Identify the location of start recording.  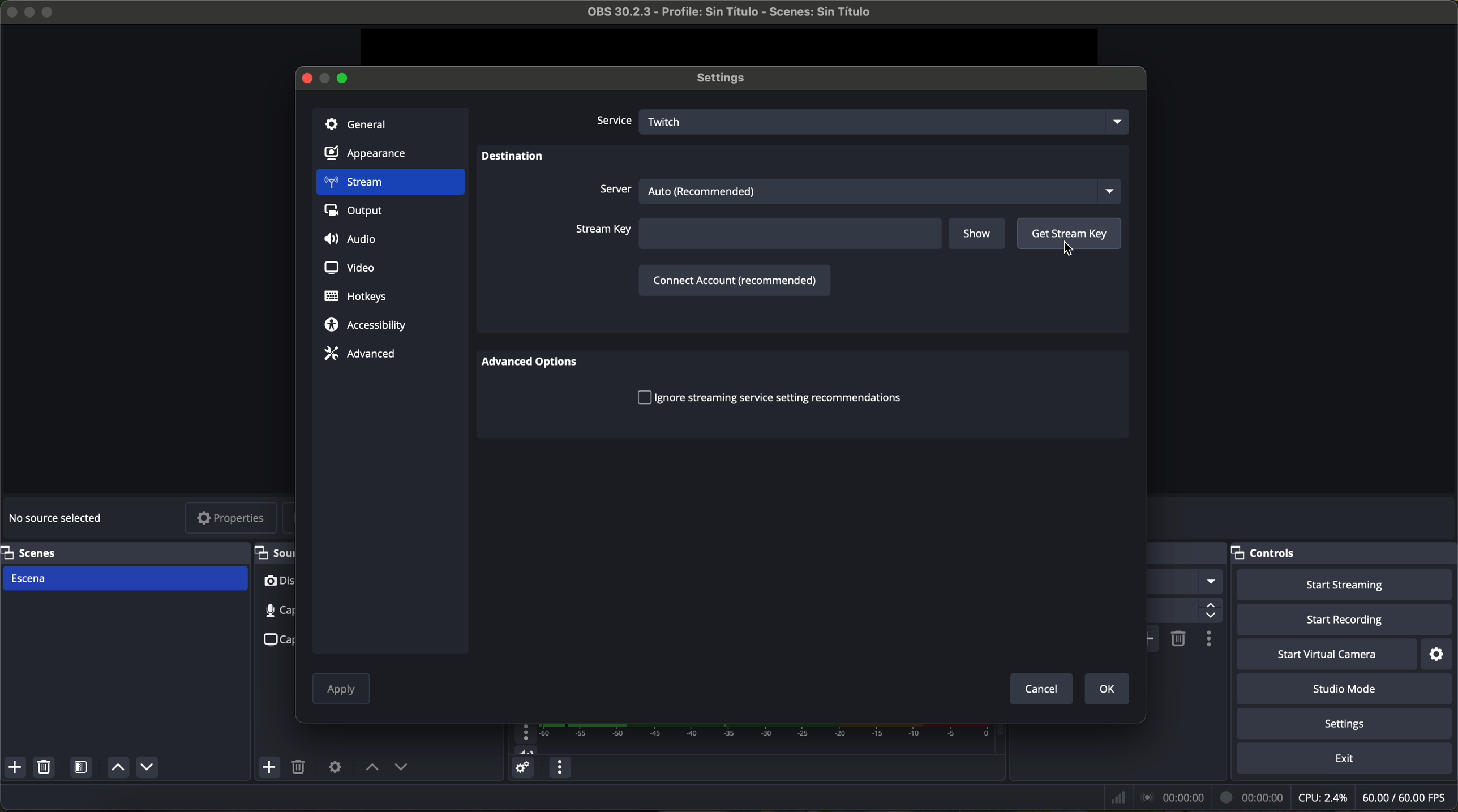
(1346, 621).